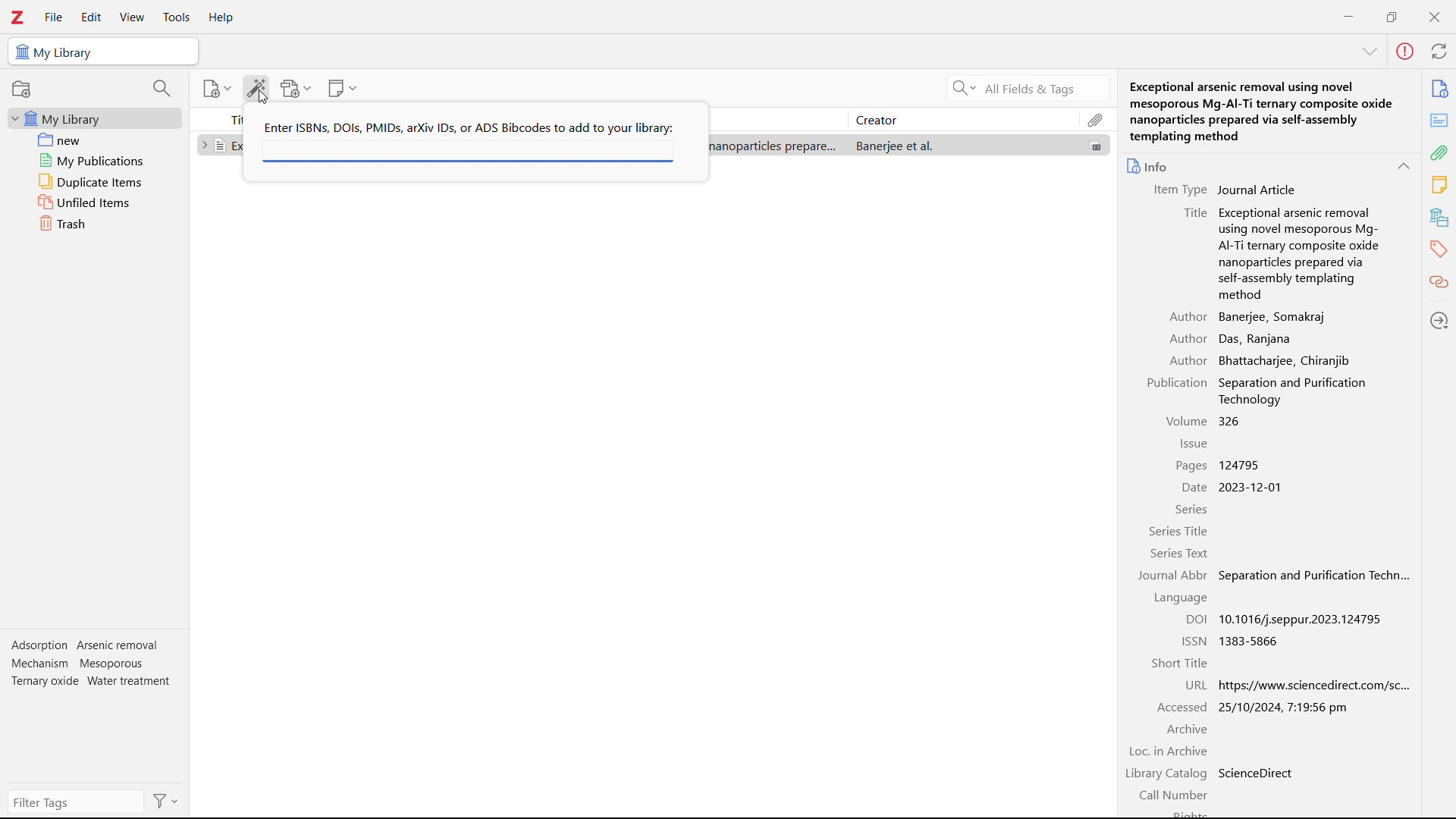 This screenshot has width=1456, height=819. Describe the element at coordinates (1194, 640) in the screenshot. I see `ISSN` at that location.